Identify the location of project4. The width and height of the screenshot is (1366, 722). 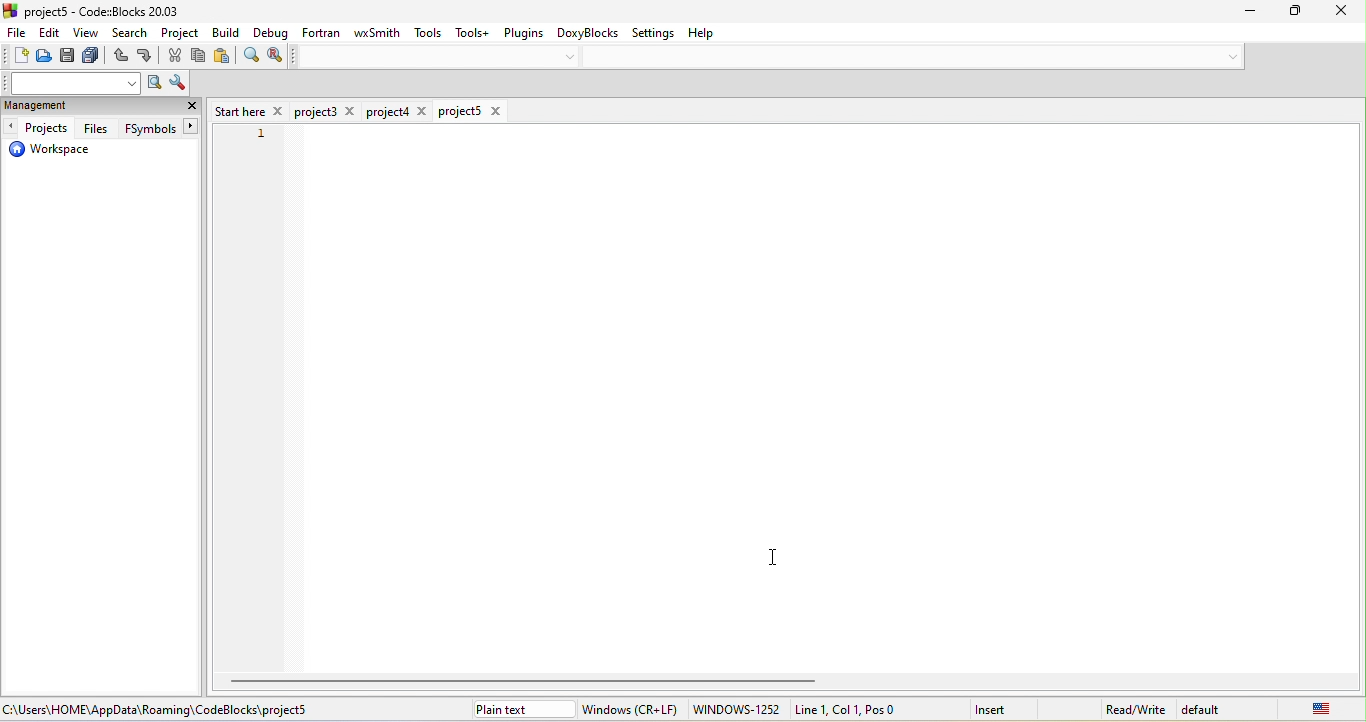
(399, 111).